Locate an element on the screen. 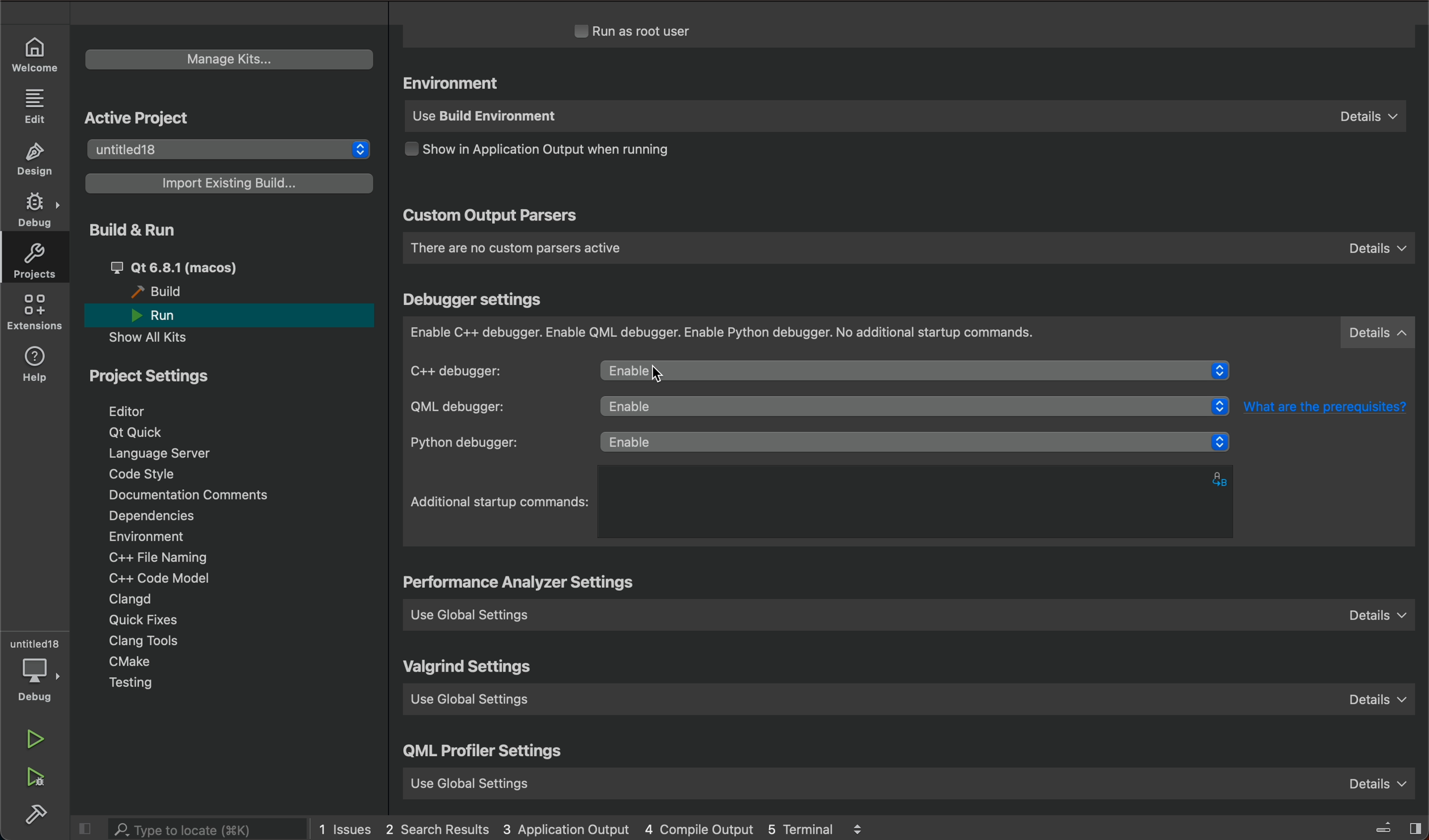 The image size is (1429, 840). qt  is located at coordinates (139, 431).